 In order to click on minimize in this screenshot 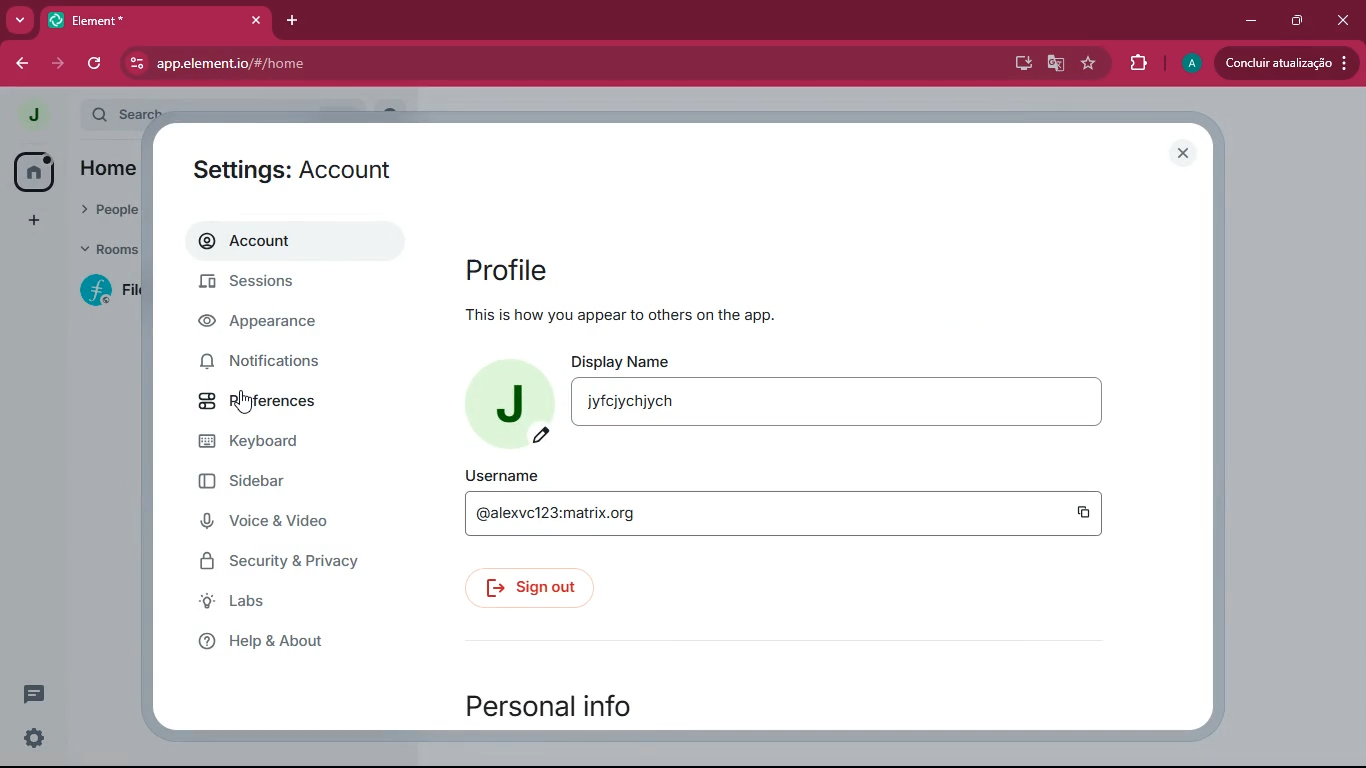, I will do `click(1249, 20)`.